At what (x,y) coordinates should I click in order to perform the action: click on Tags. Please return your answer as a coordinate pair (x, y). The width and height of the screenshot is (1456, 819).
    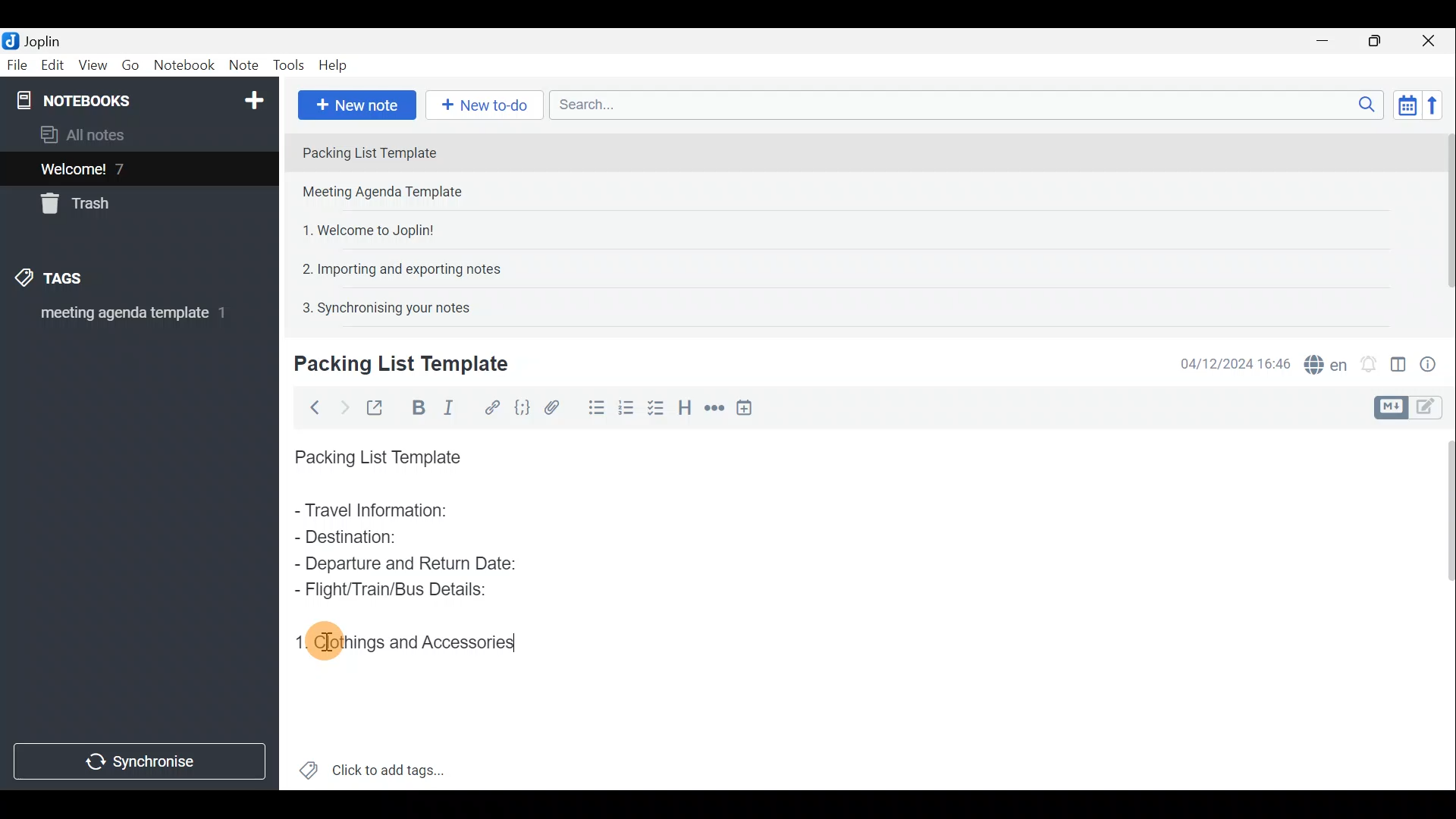
    Looking at the image, I should click on (74, 281).